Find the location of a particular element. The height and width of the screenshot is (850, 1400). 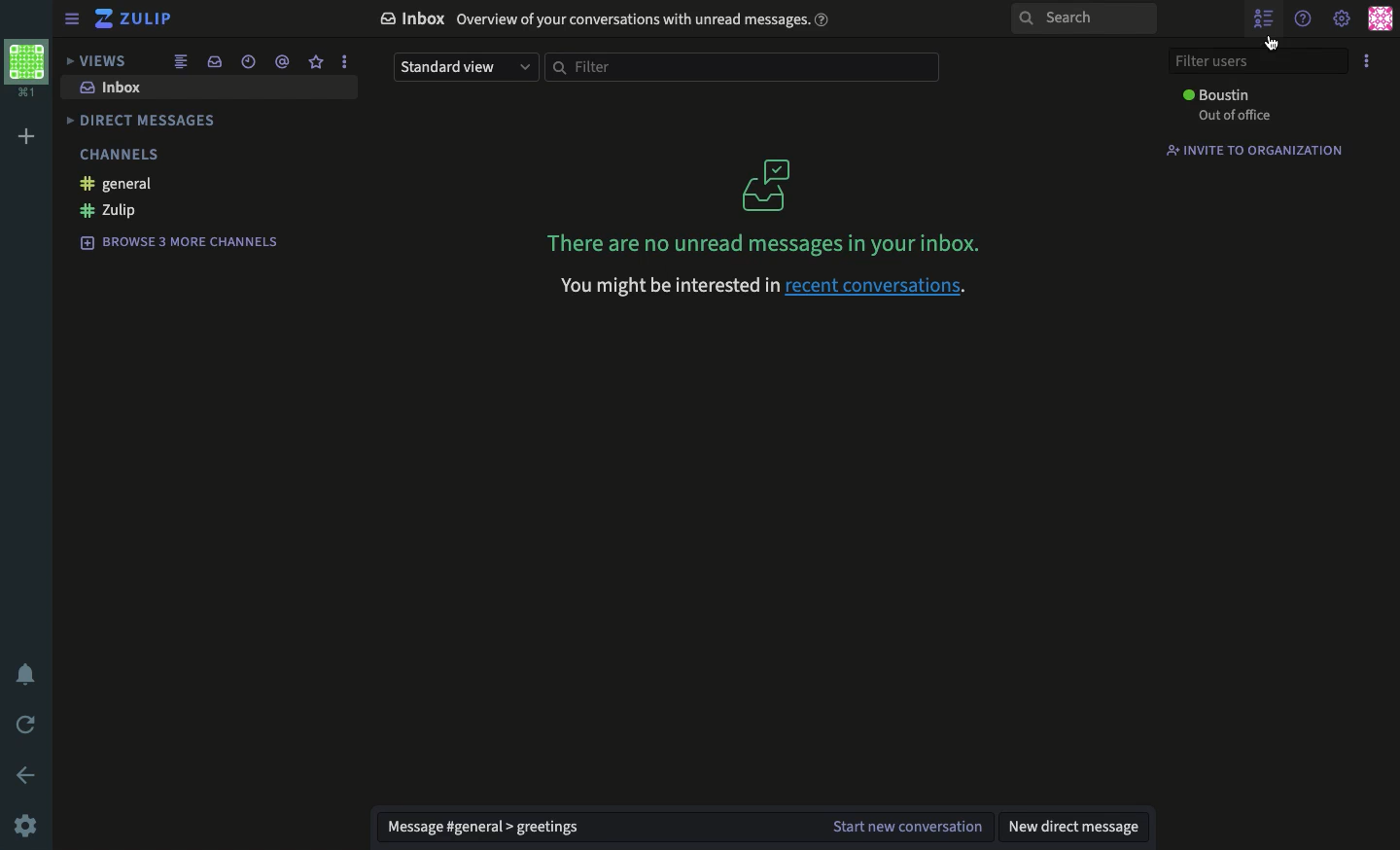

browse 3 more channels is located at coordinates (173, 241).